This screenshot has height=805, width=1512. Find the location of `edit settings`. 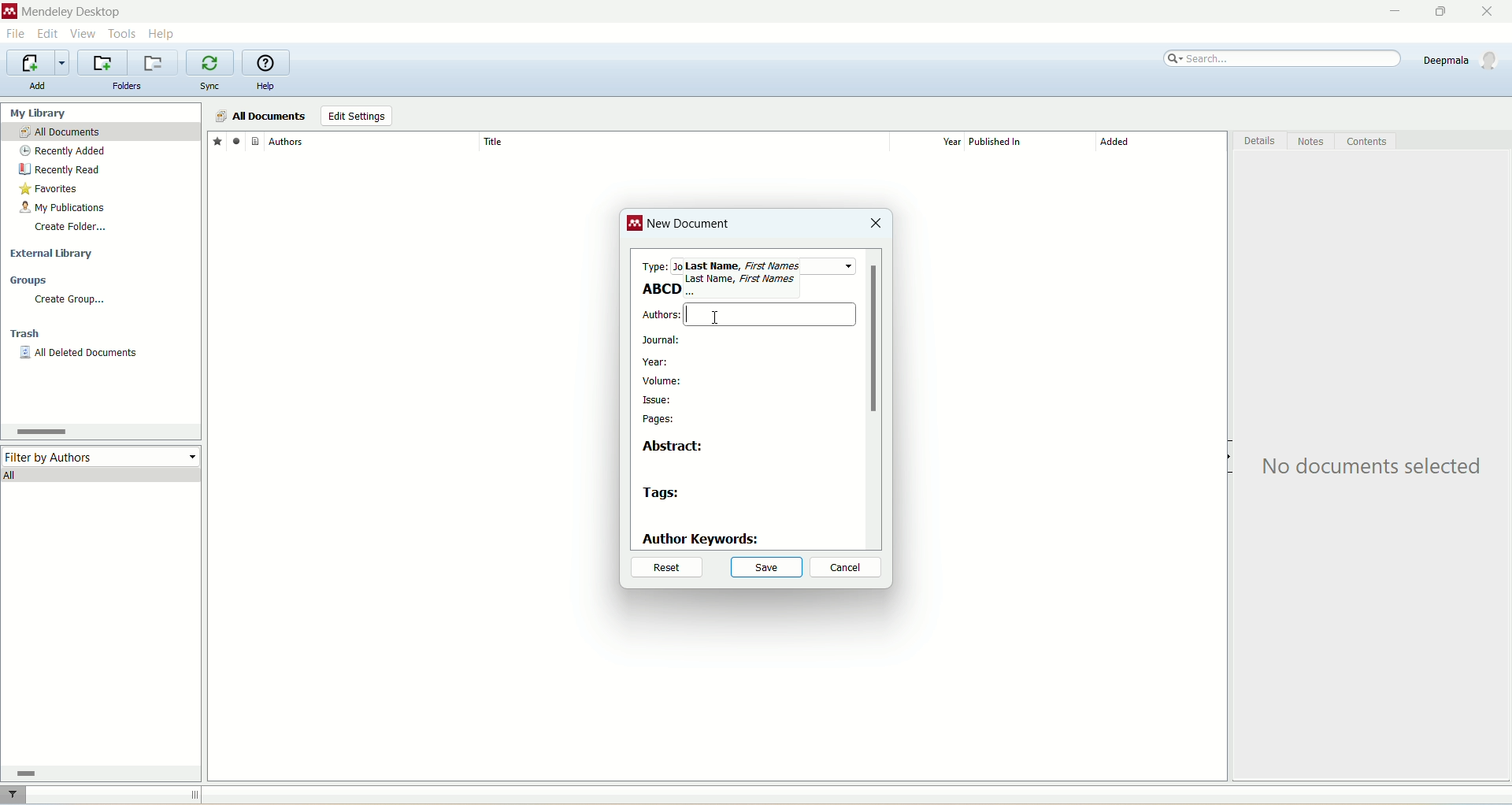

edit settings is located at coordinates (356, 117).